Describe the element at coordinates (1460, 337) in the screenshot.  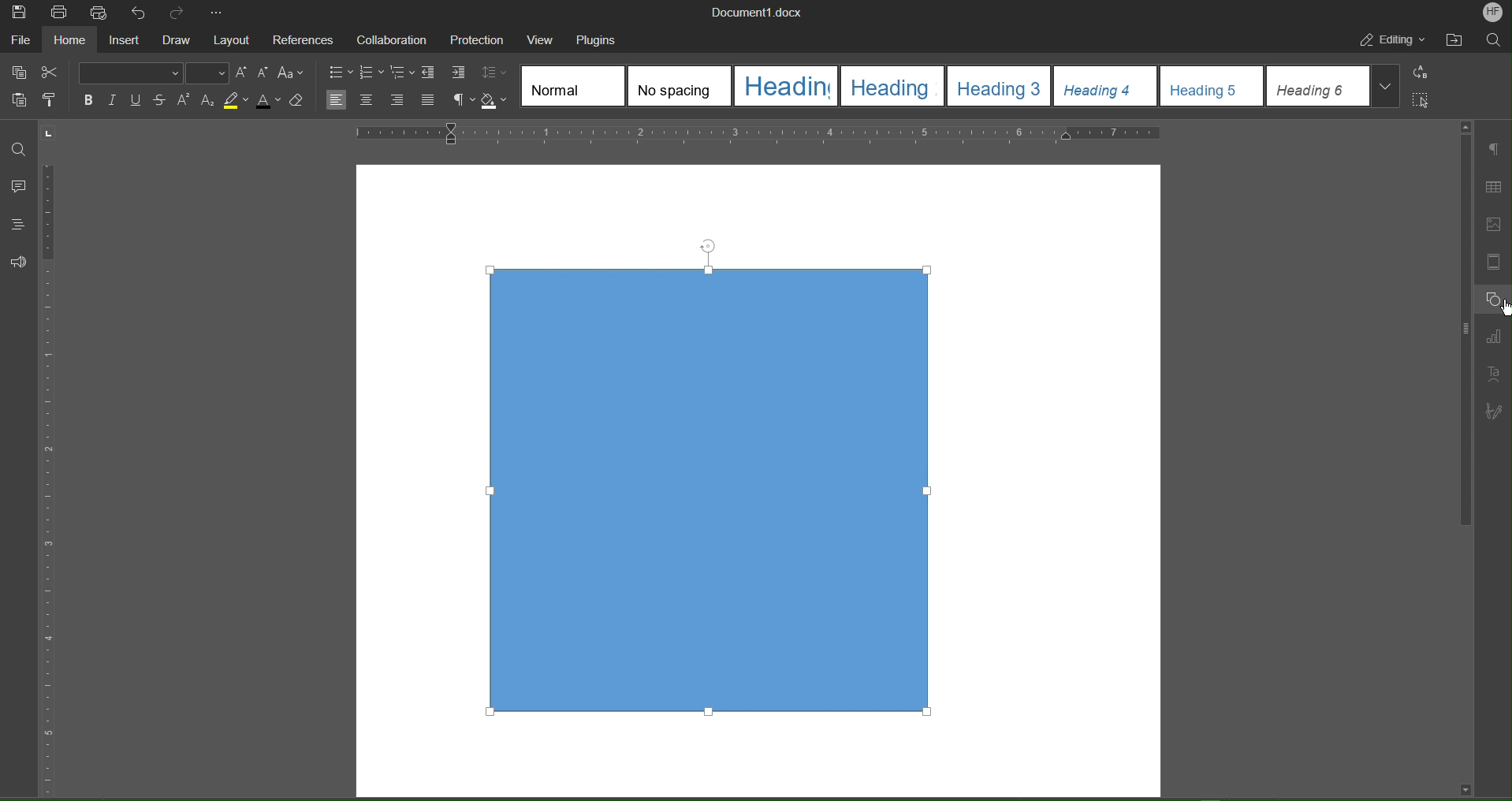
I see `Vertical scroll bar` at that location.